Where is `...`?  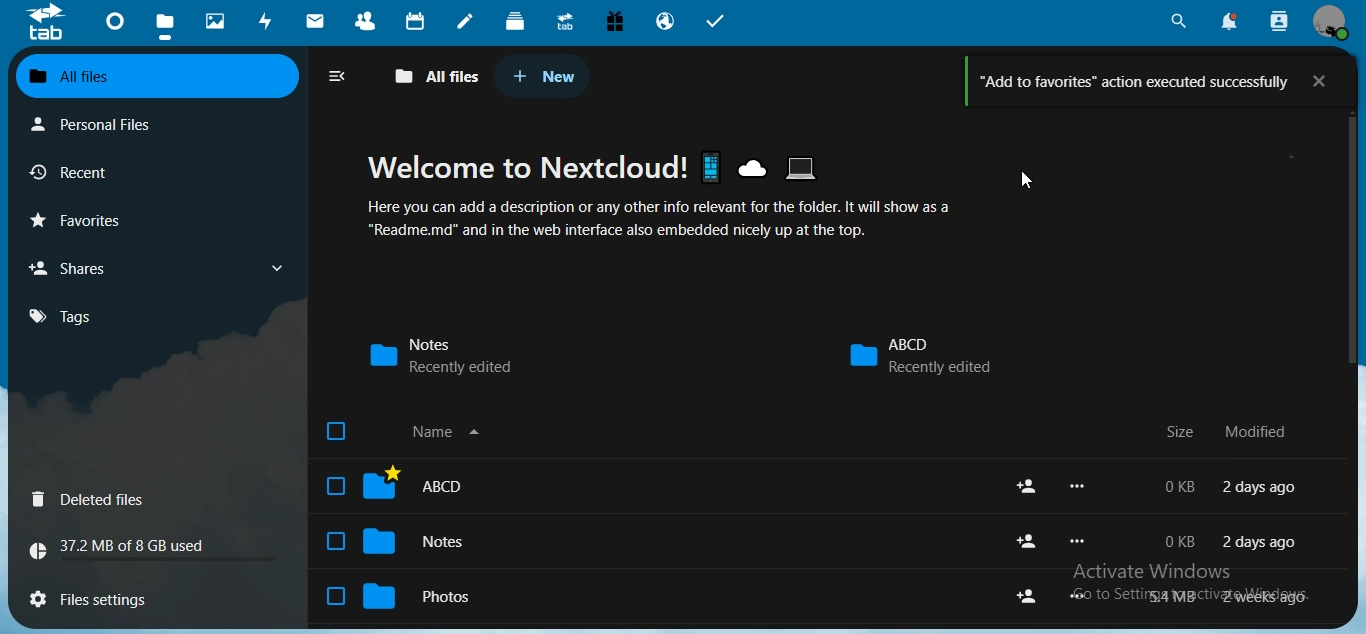 ... is located at coordinates (1074, 597).